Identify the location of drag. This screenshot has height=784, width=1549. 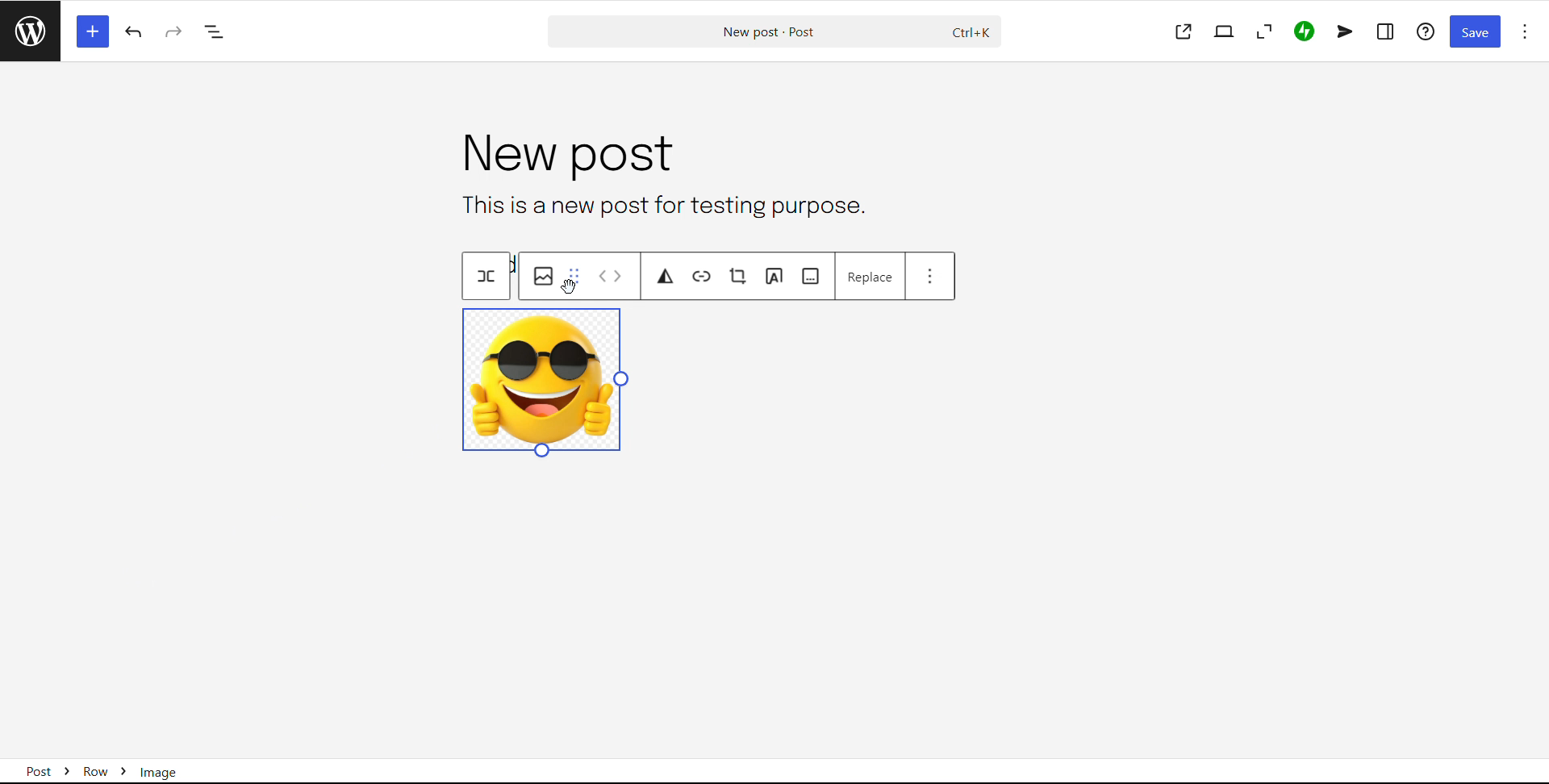
(574, 275).